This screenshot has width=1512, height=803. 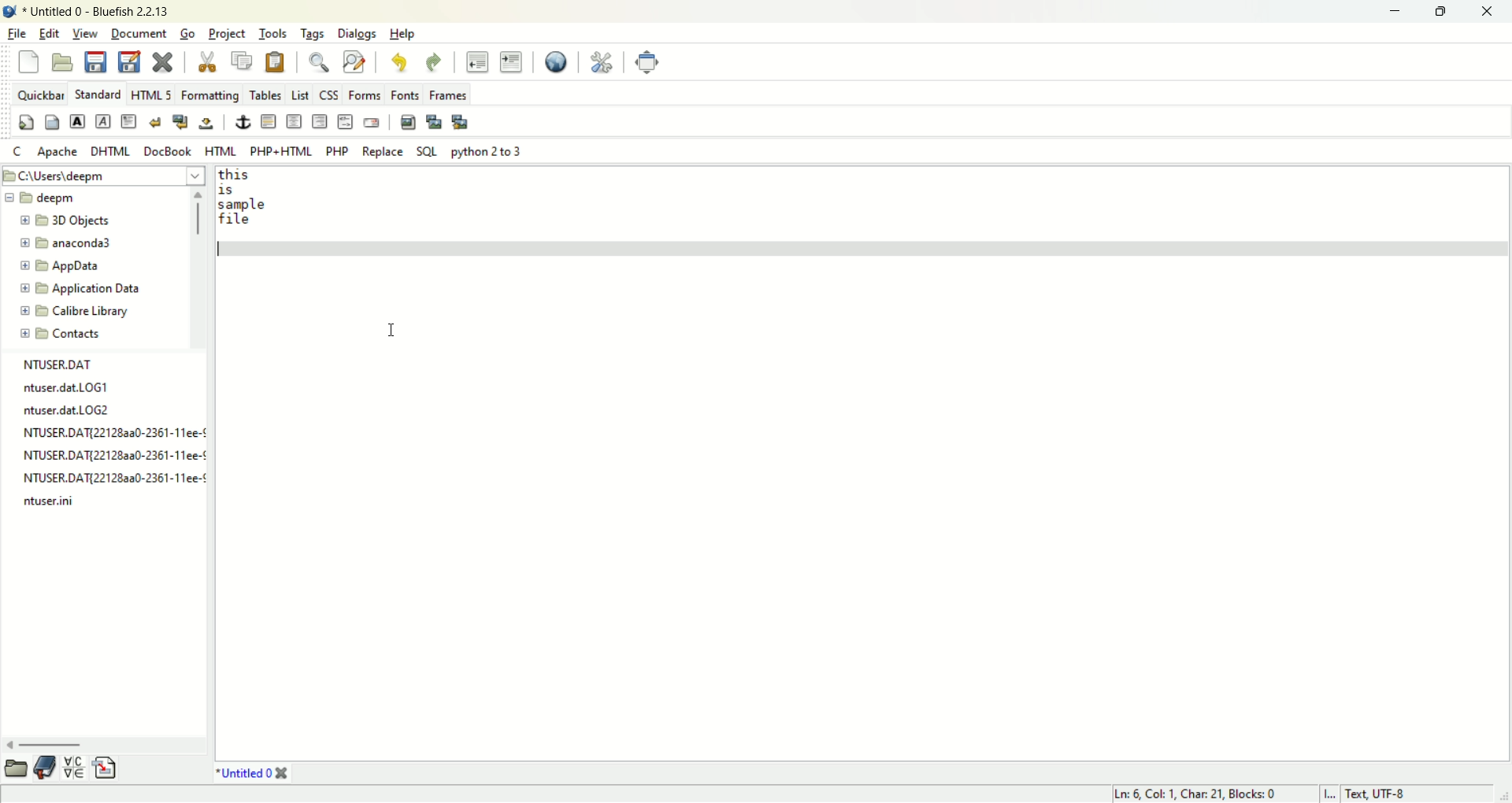 I want to click on help, so click(x=404, y=34).